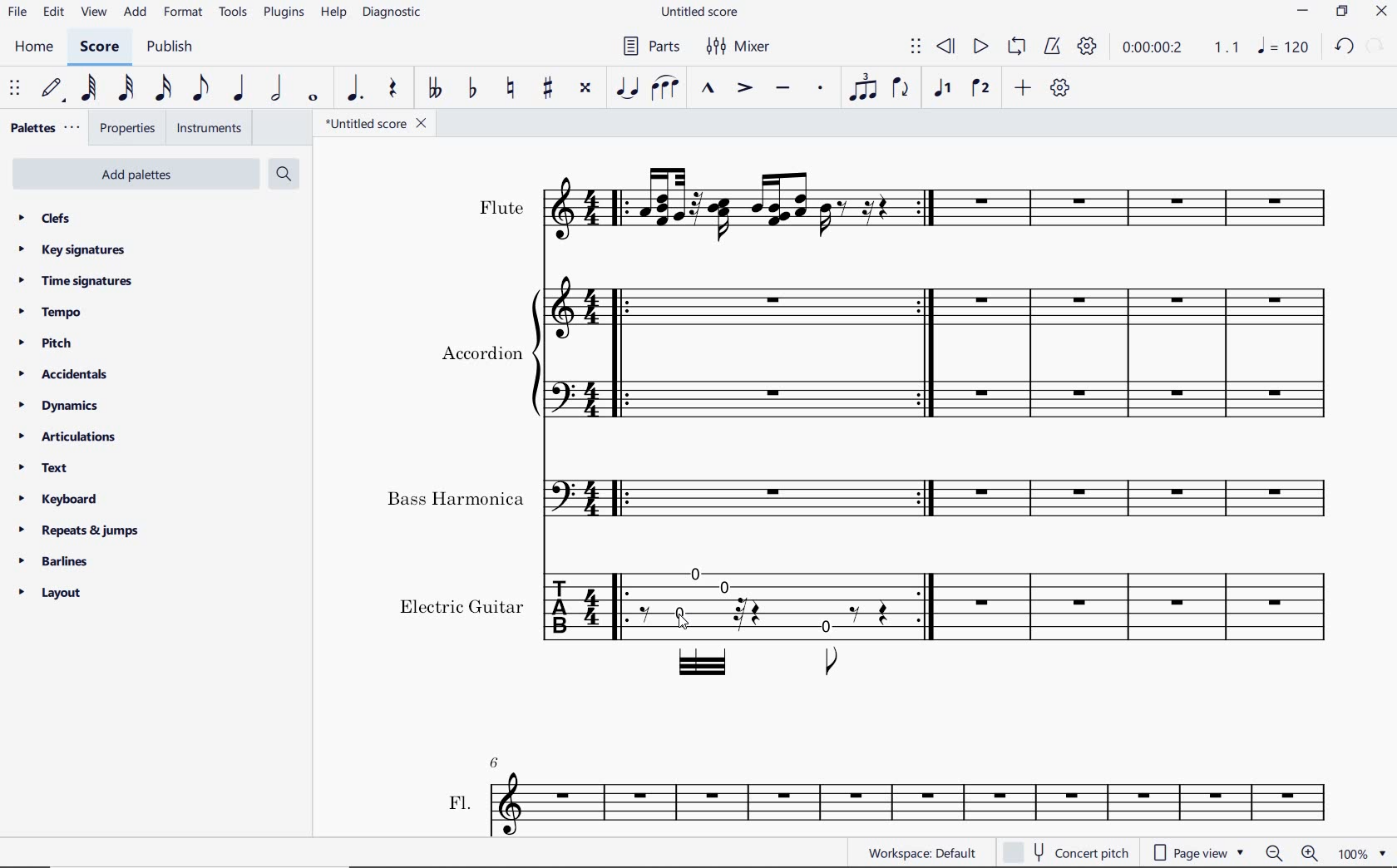 The width and height of the screenshot is (1397, 868). Describe the element at coordinates (1342, 47) in the screenshot. I see `undo` at that location.